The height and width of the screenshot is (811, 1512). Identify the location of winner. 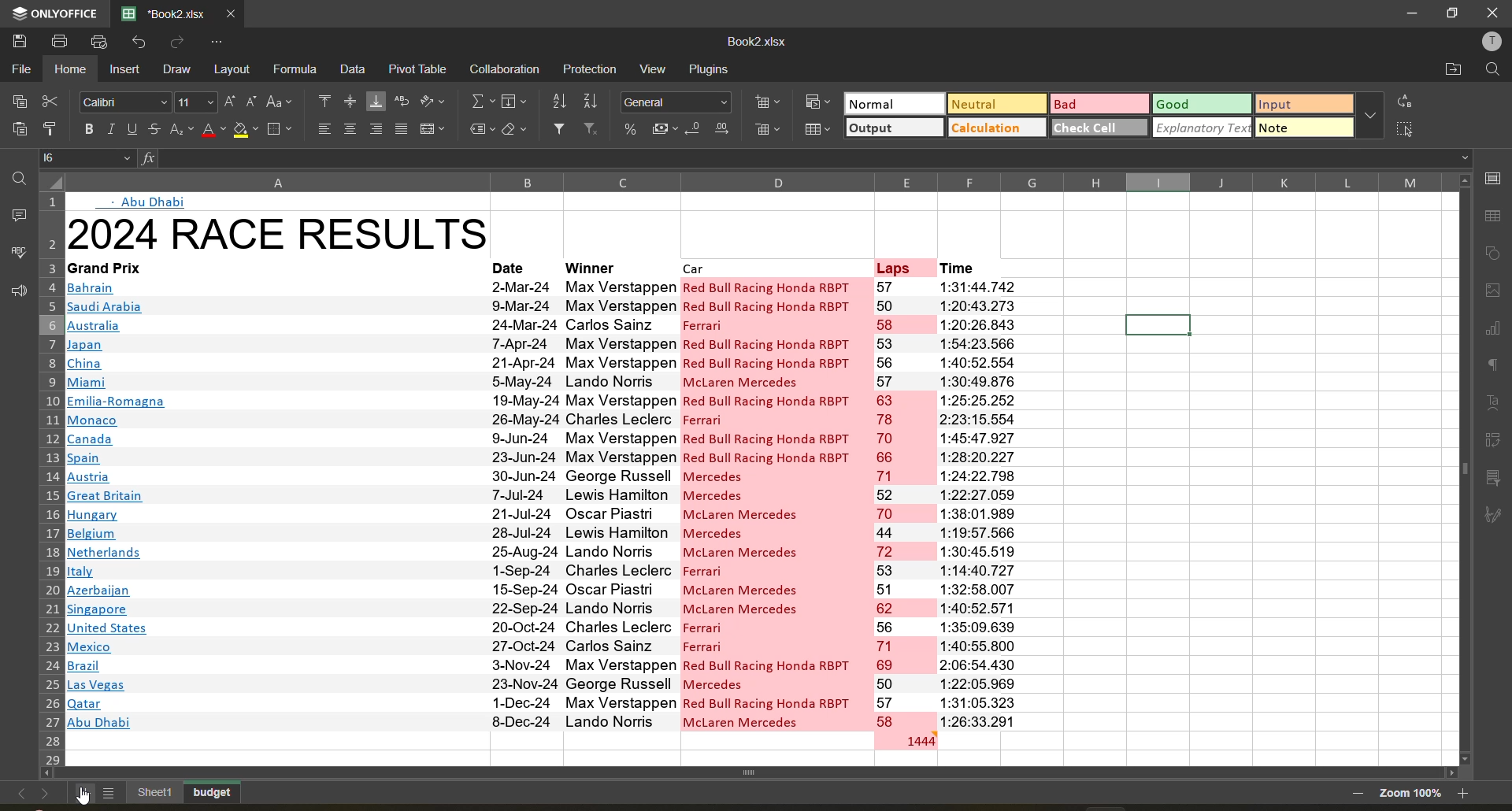
(616, 265).